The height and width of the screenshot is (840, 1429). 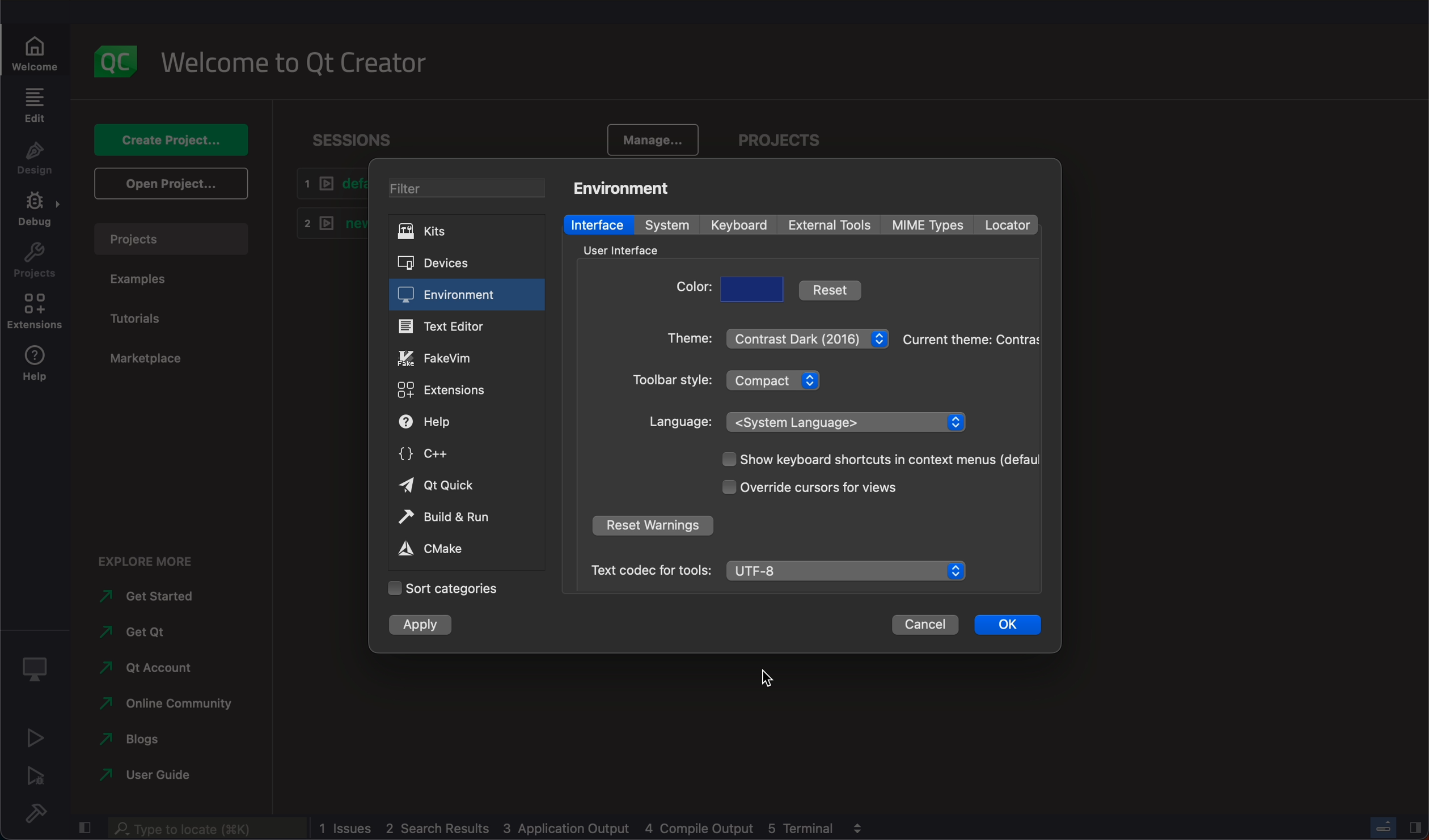 I want to click on Welcome, so click(x=37, y=50).